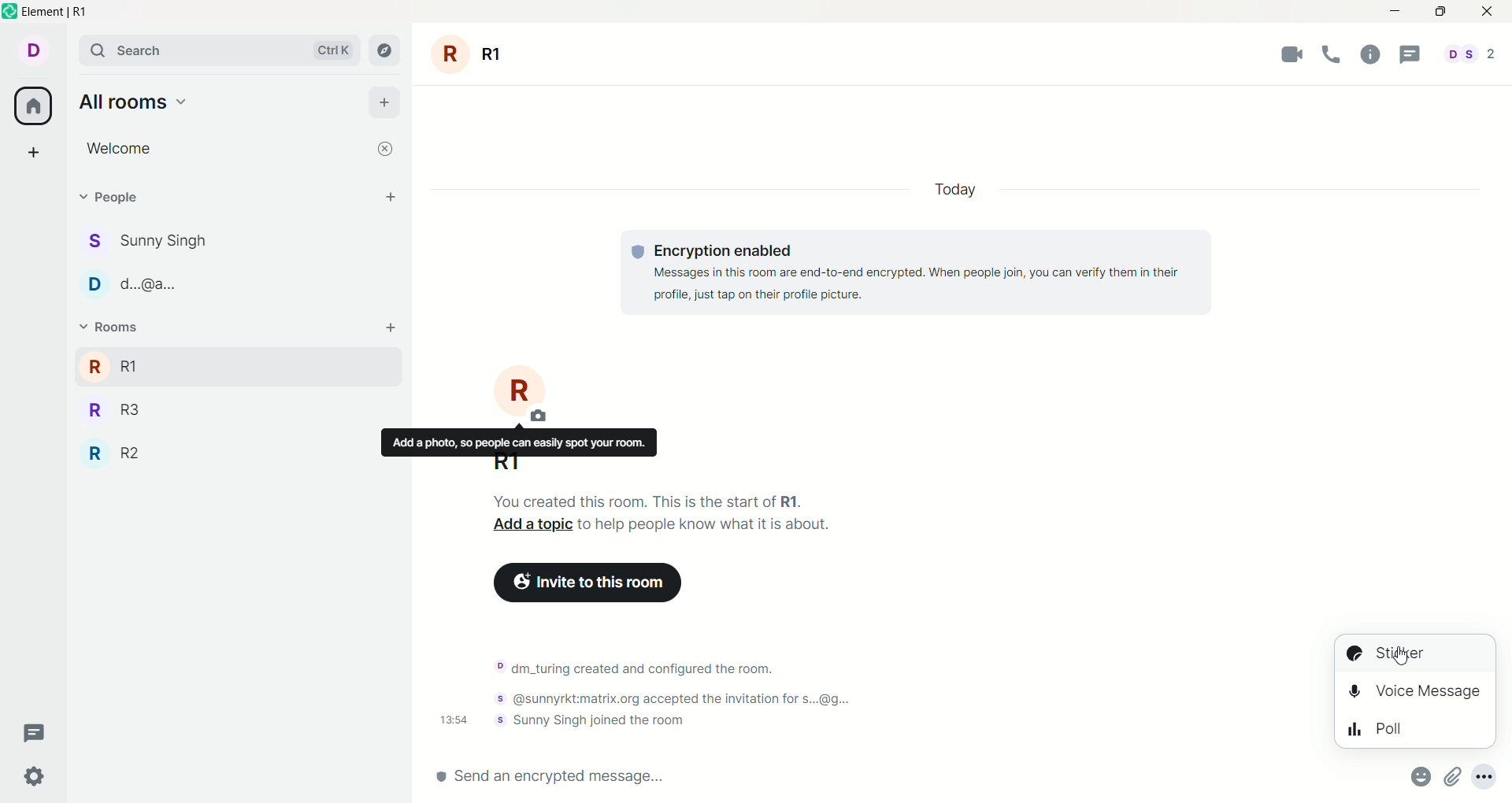 This screenshot has height=803, width=1512. Describe the element at coordinates (1421, 776) in the screenshot. I see `Add smiley` at that location.